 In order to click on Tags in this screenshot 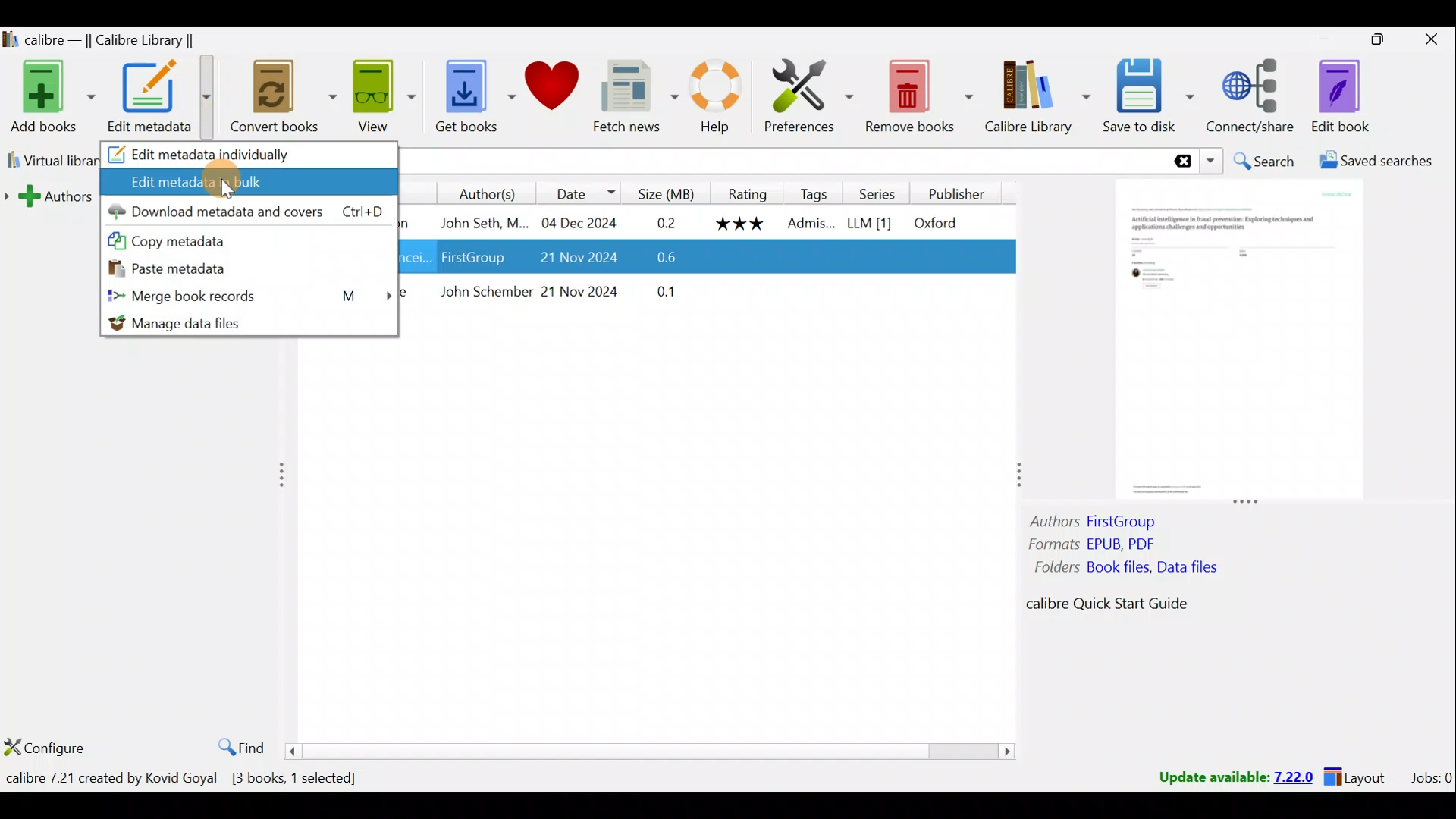, I will do `click(814, 192)`.